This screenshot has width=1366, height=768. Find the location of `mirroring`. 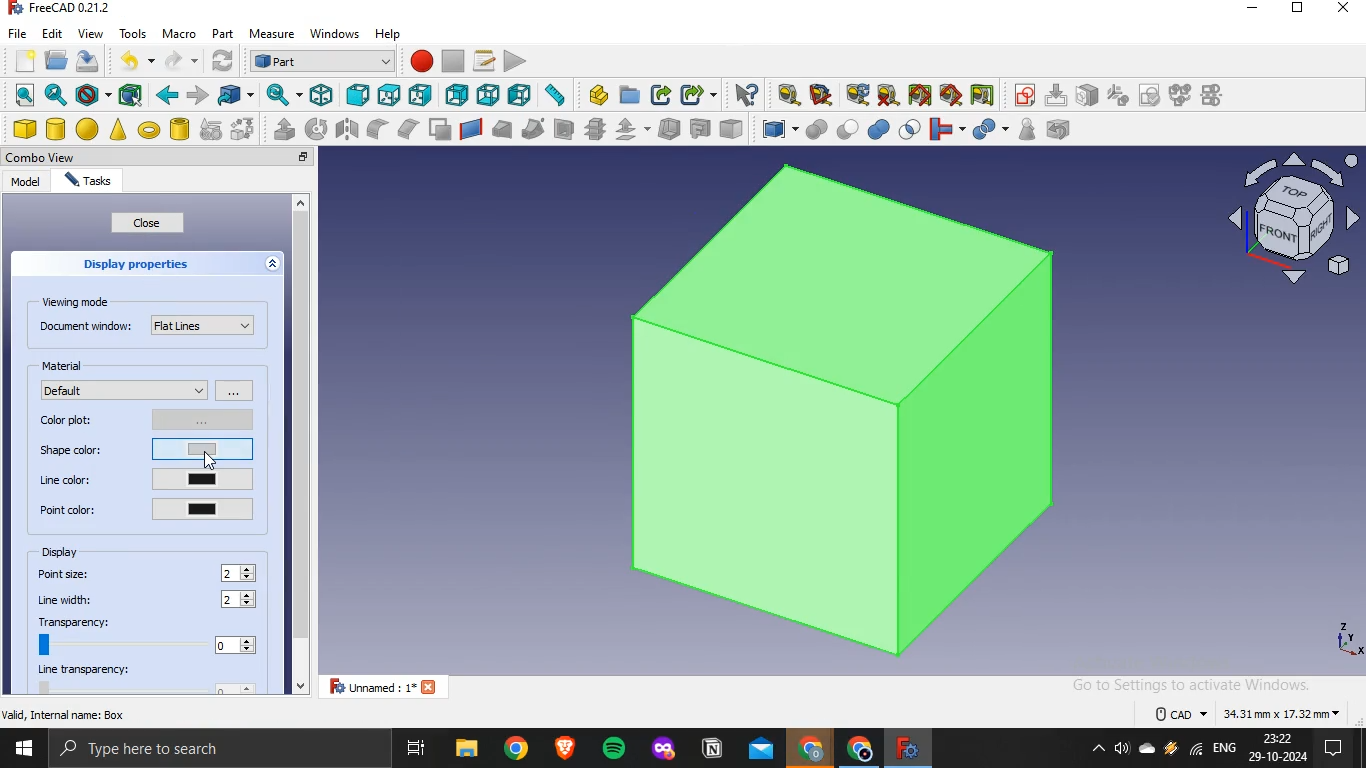

mirroring is located at coordinates (348, 128).